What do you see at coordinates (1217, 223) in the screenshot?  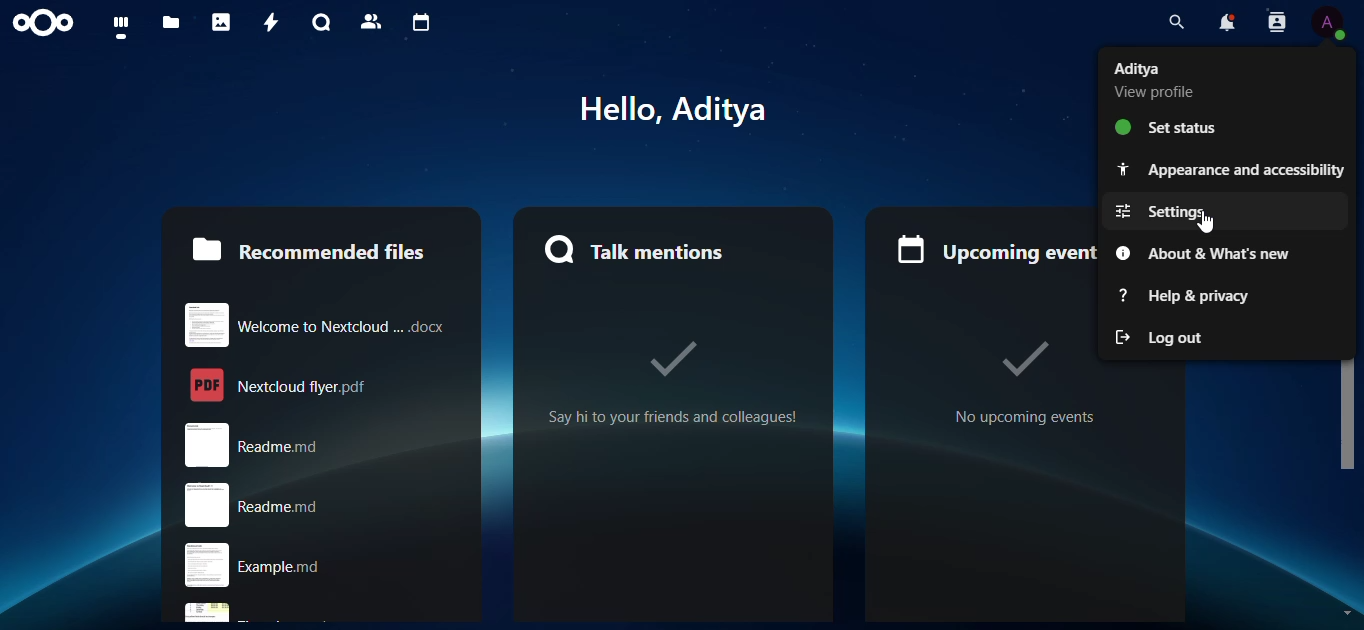 I see `cursor` at bounding box center [1217, 223].